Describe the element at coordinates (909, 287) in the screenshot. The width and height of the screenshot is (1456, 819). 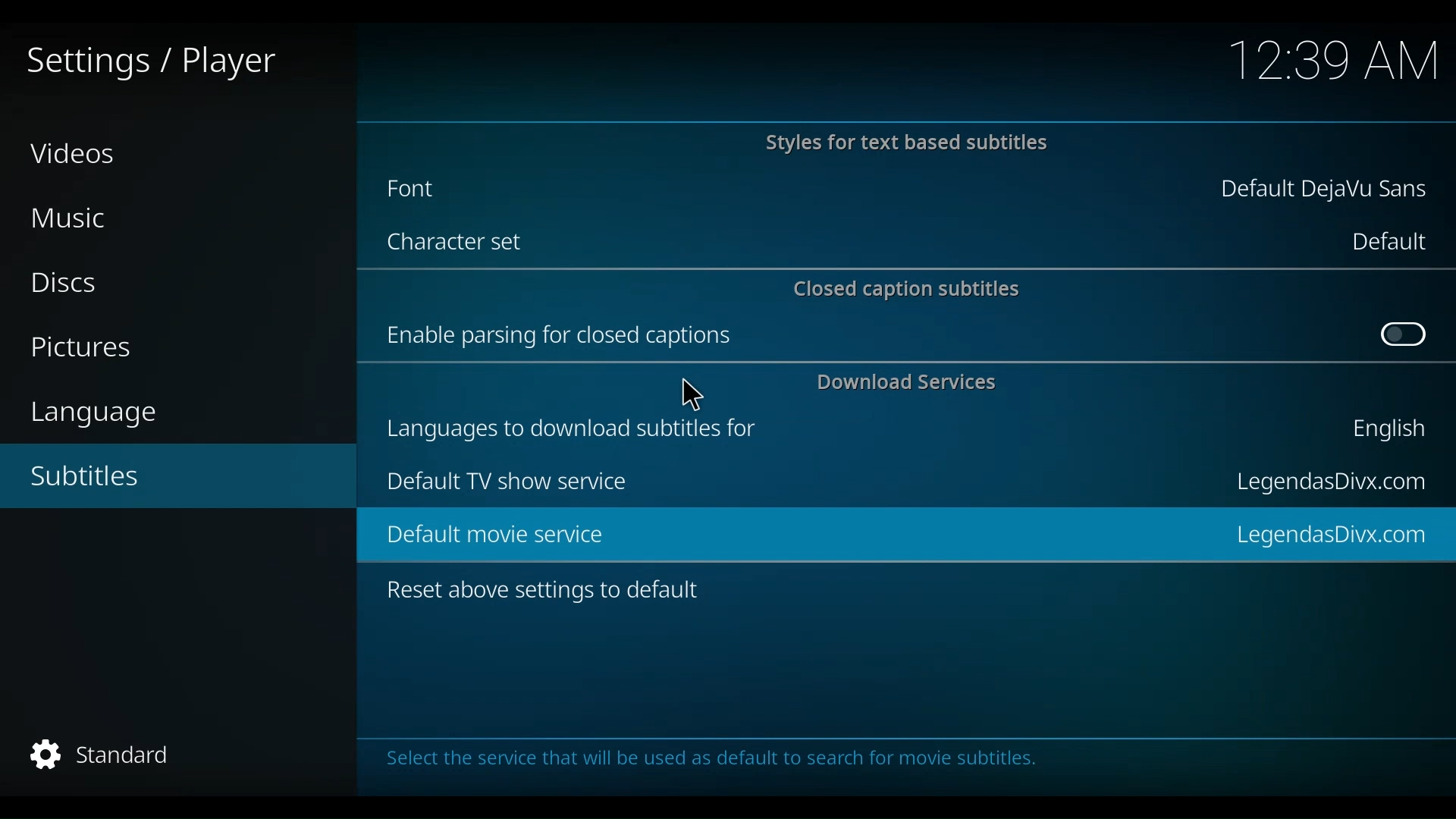
I see `Closed caption subtitles` at that location.